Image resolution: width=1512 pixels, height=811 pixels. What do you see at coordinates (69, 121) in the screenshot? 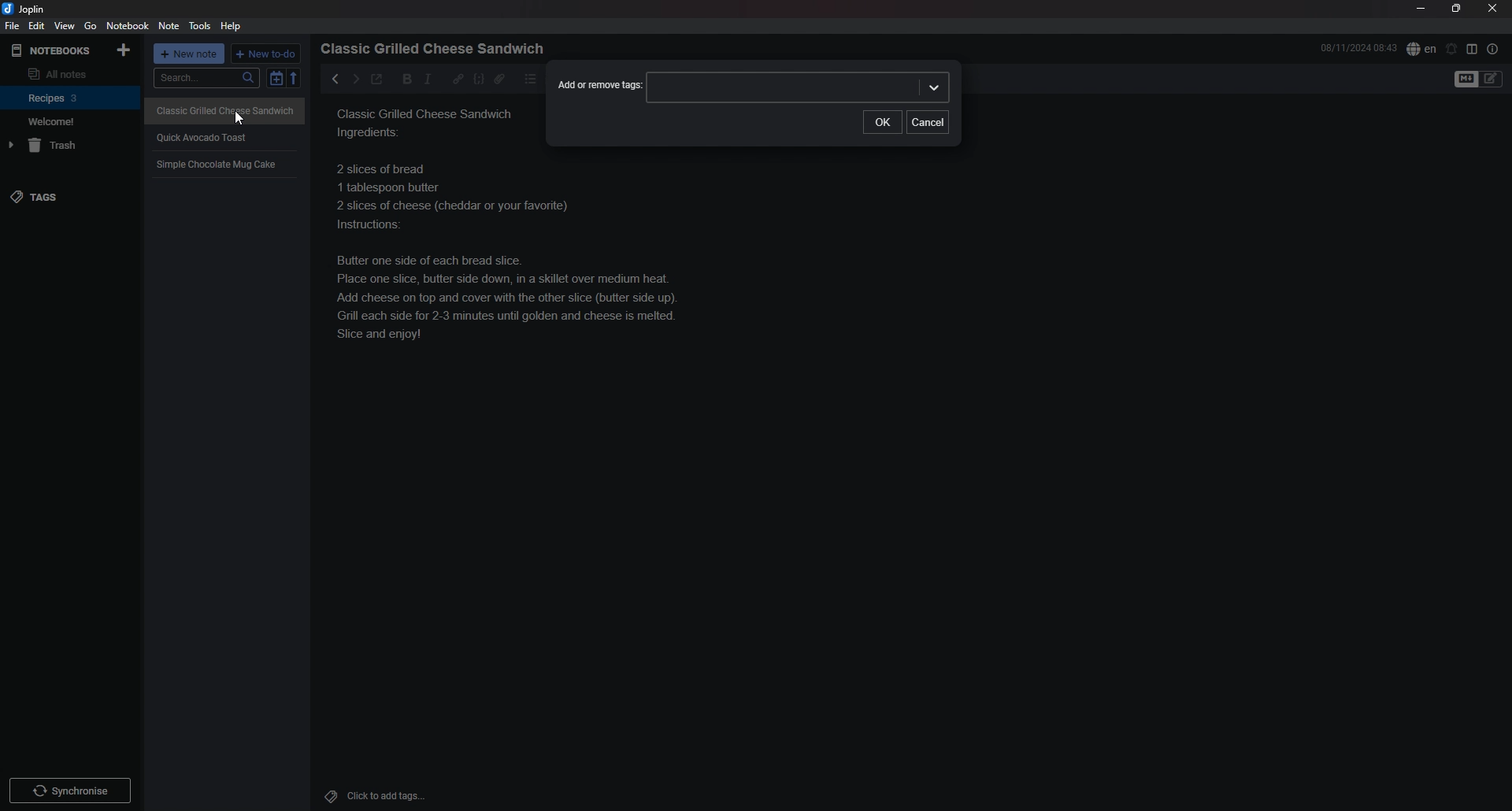
I see `notebook` at bounding box center [69, 121].